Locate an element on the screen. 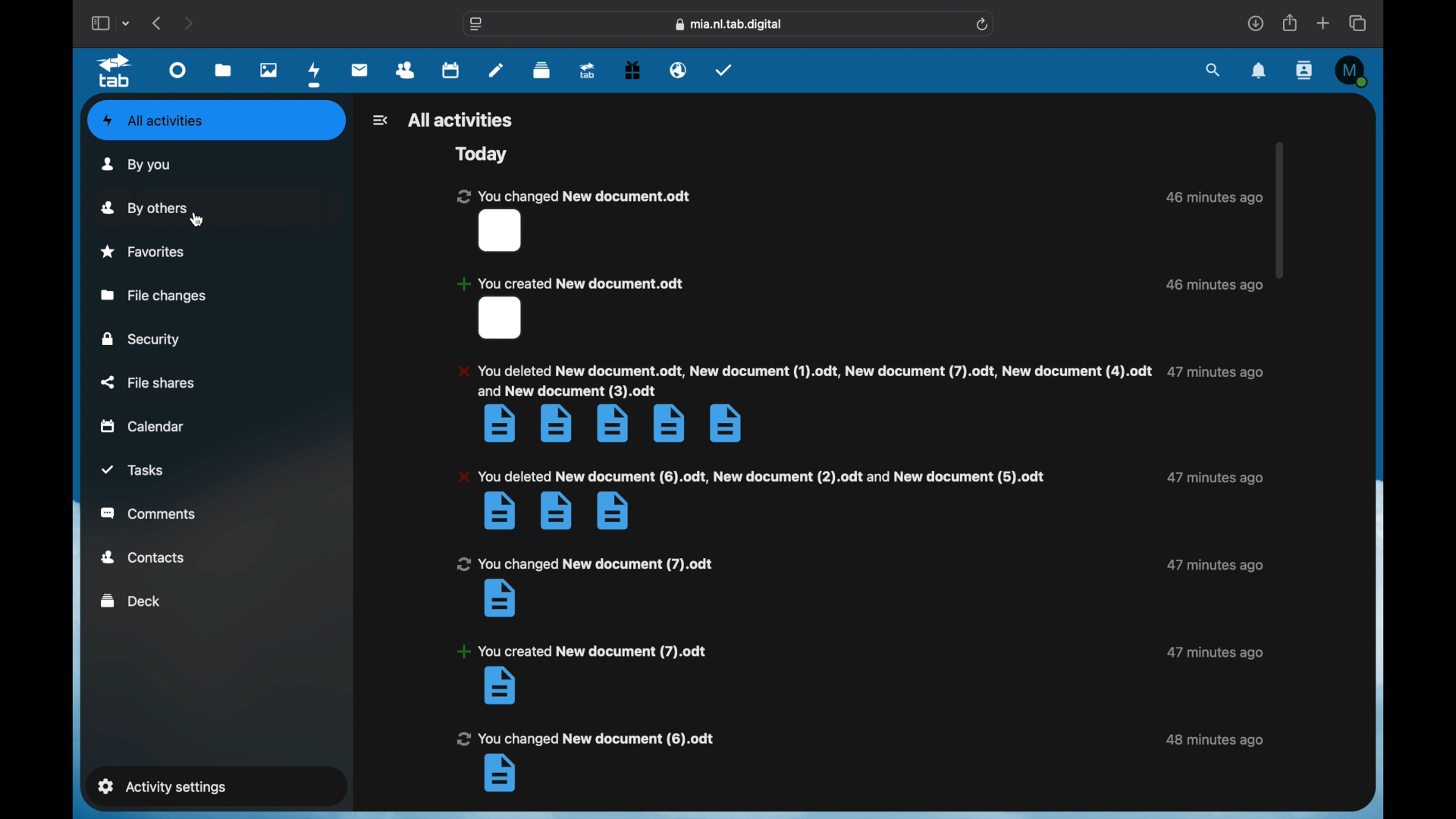  calendar is located at coordinates (143, 426).